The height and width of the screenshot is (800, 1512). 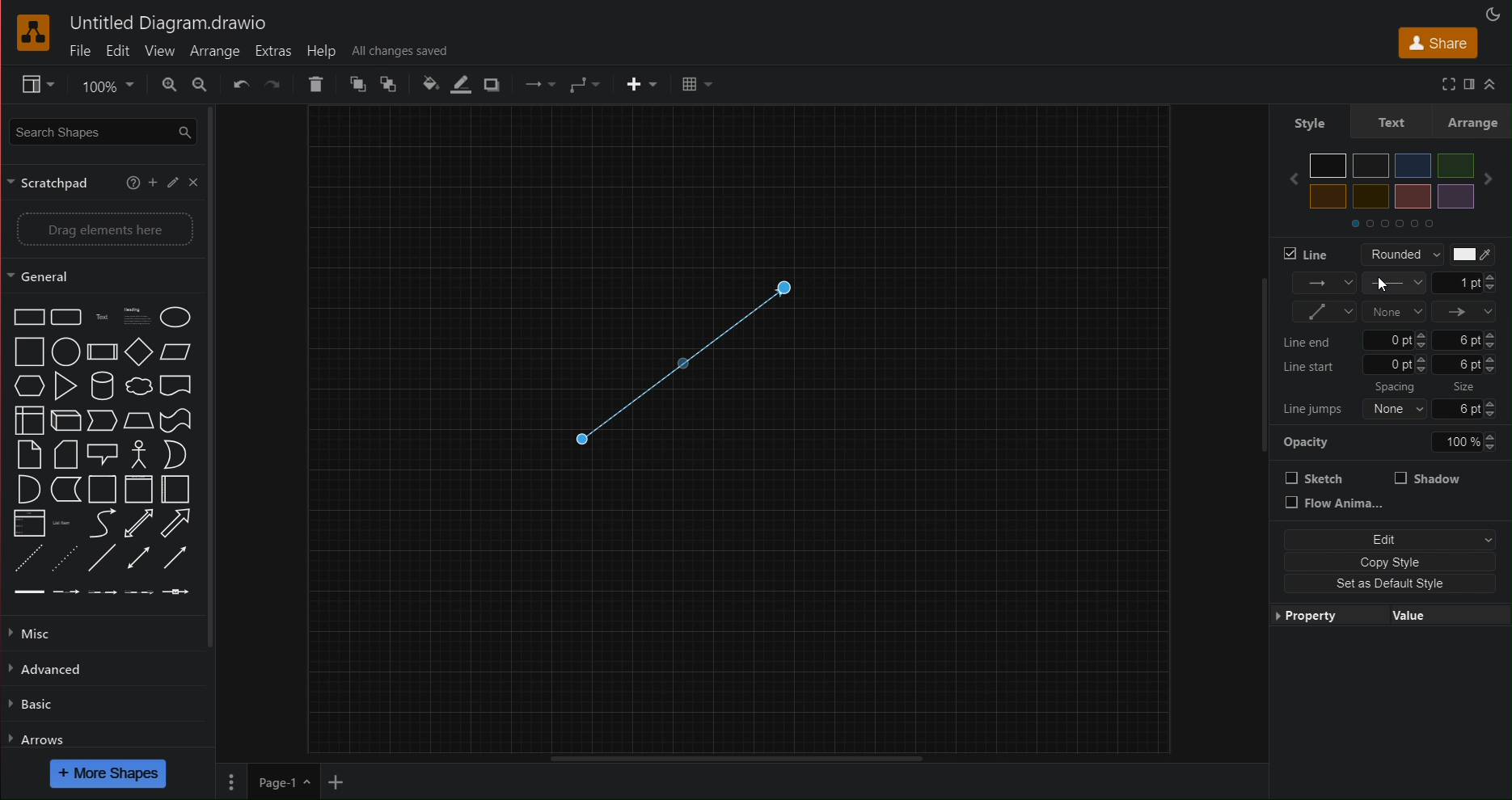 I want to click on arrow up, so click(x=1491, y=85).